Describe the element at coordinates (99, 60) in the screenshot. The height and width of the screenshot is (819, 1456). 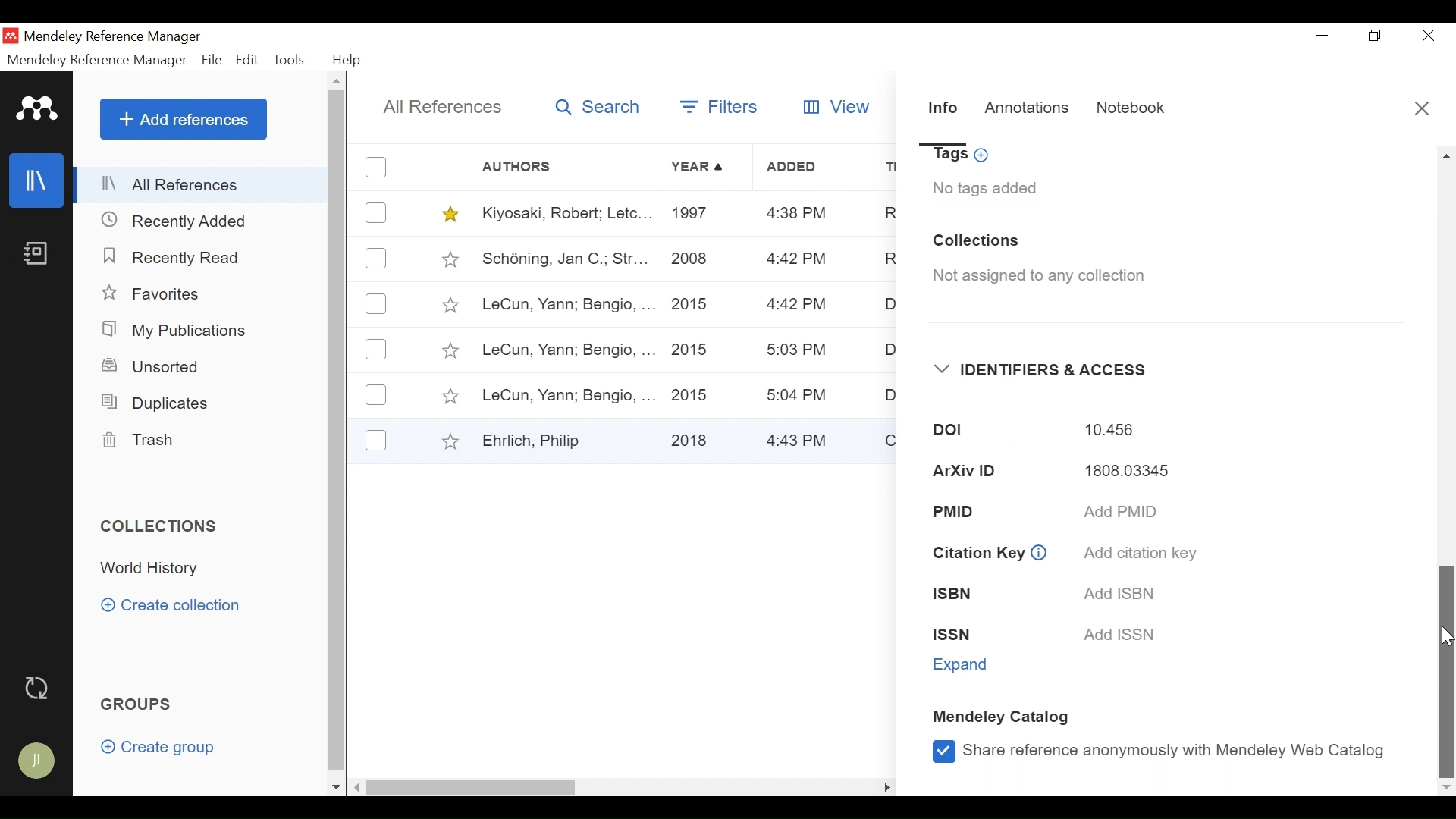
I see `Mendeley Reference Manager` at that location.